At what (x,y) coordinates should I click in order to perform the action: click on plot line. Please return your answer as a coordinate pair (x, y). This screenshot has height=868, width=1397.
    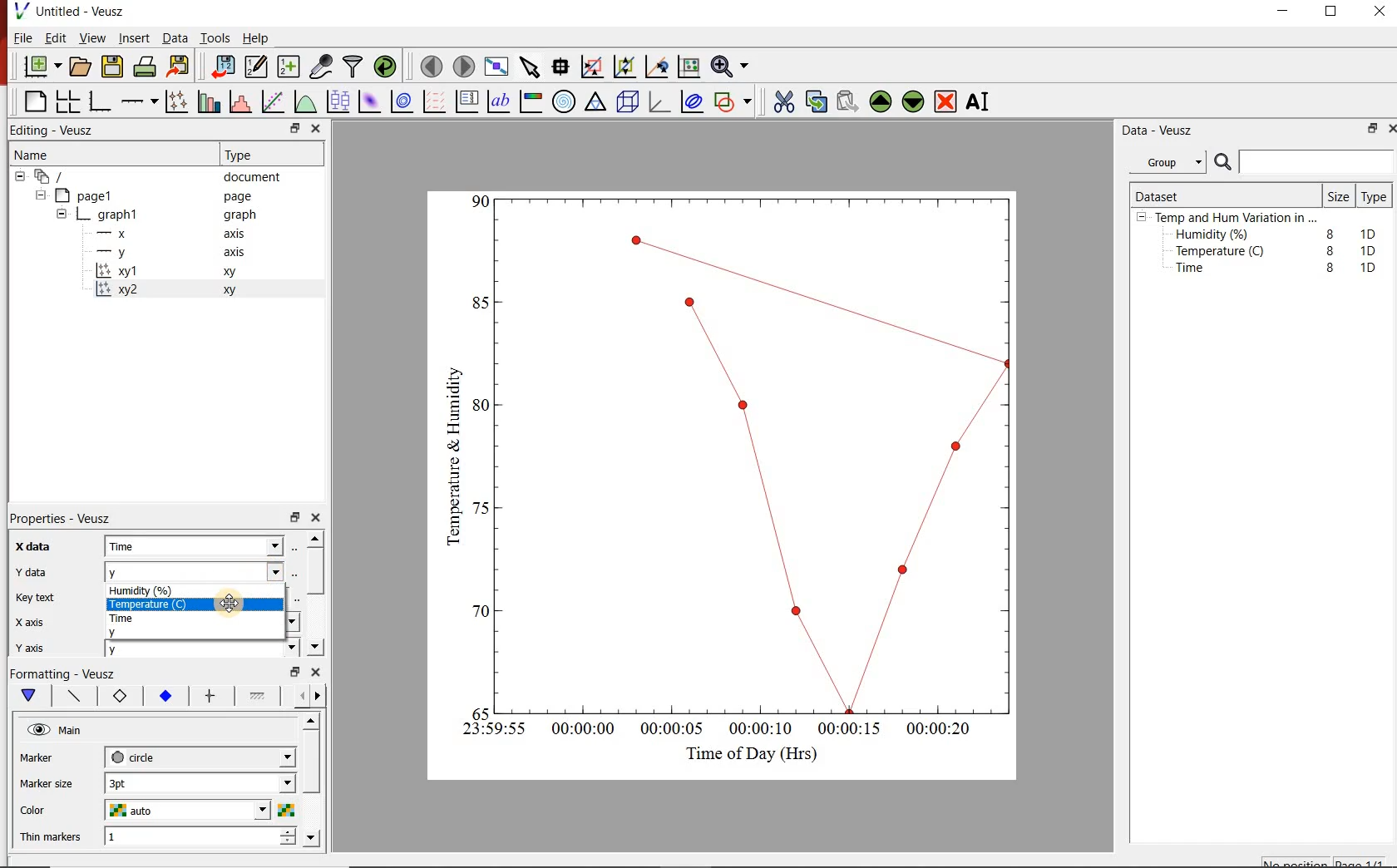
    Looking at the image, I should click on (75, 697).